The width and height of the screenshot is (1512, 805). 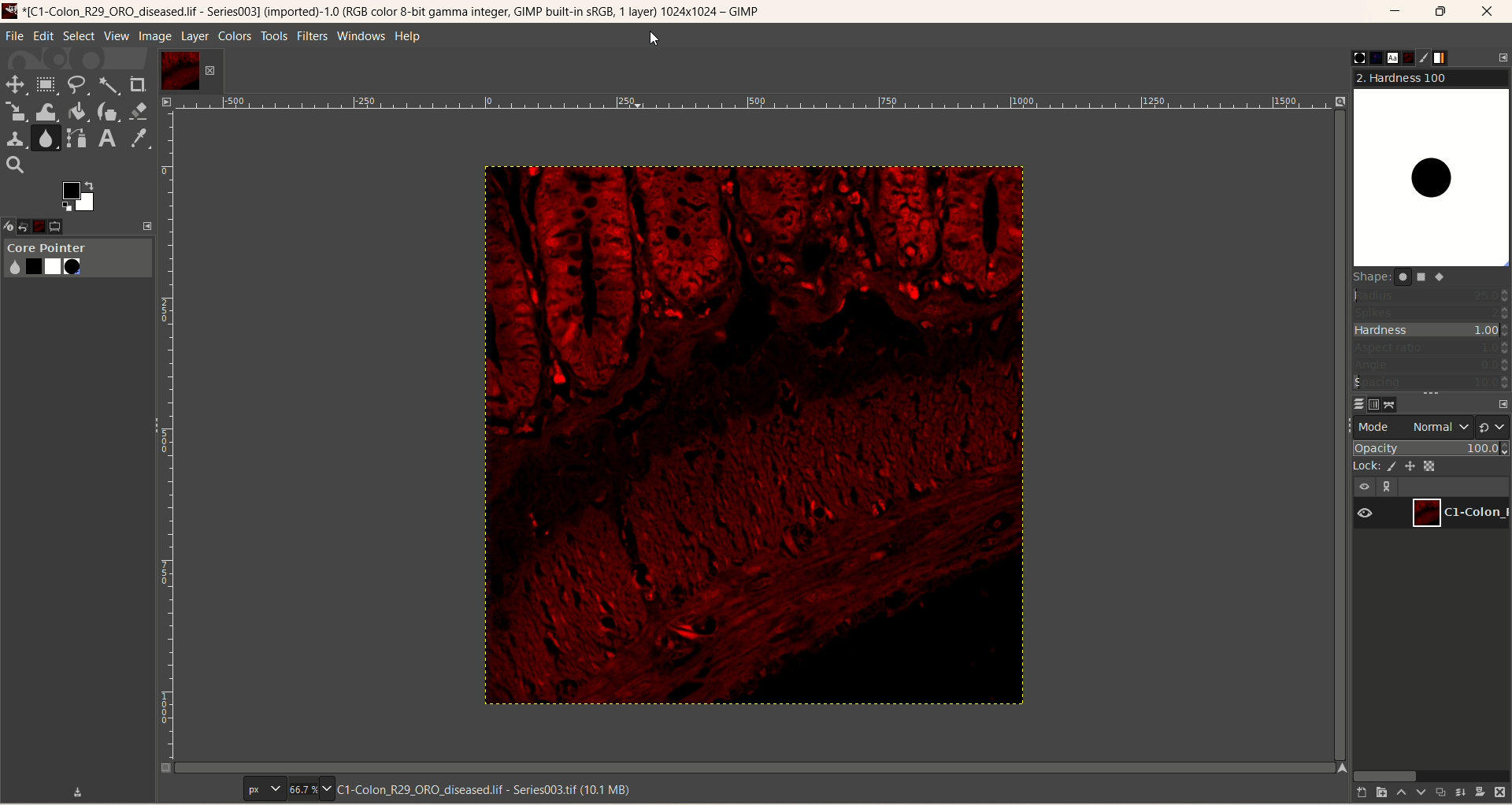 I want to click on ink tool, so click(x=108, y=111).